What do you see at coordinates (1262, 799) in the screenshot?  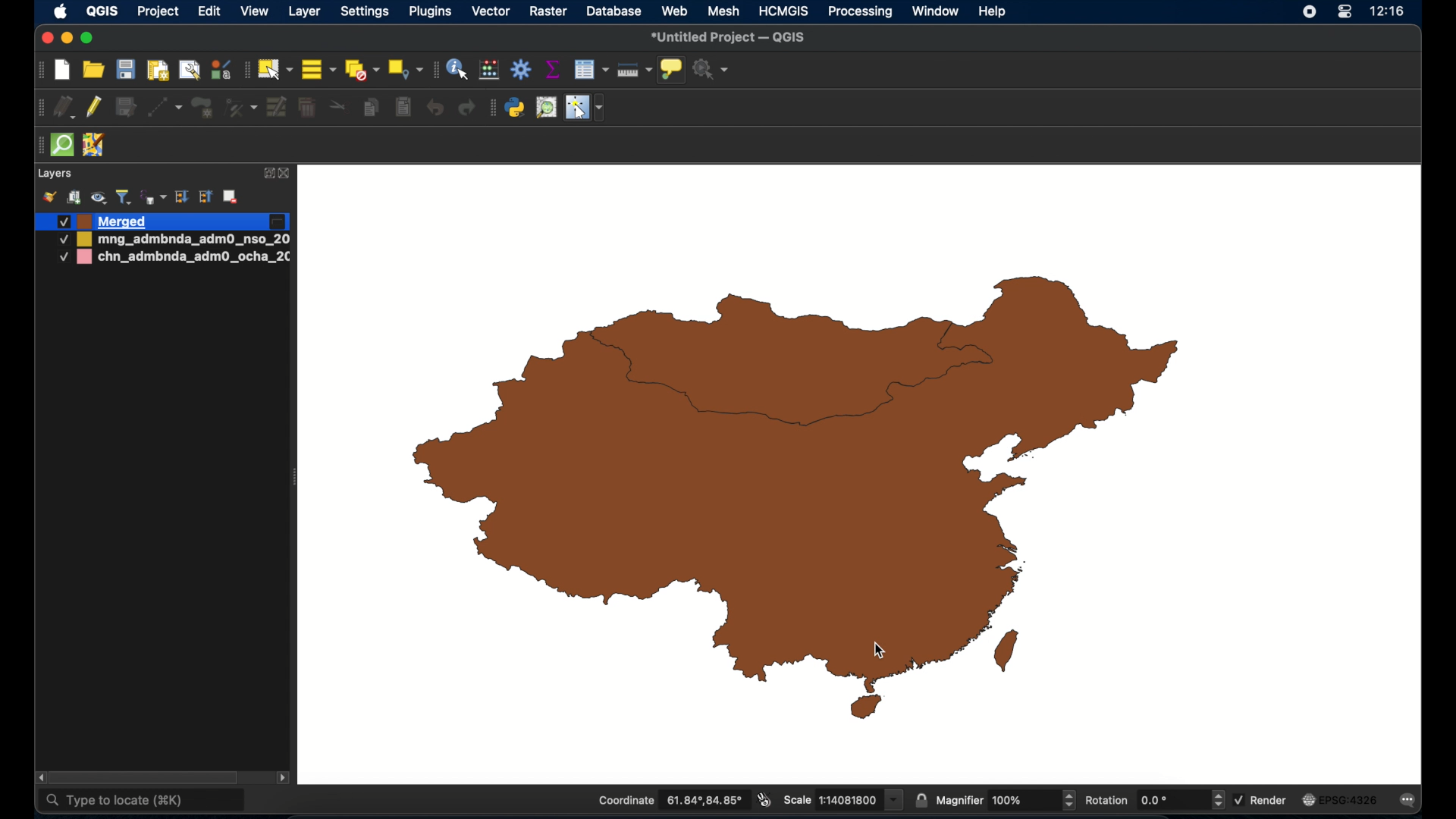 I see `render` at bounding box center [1262, 799].